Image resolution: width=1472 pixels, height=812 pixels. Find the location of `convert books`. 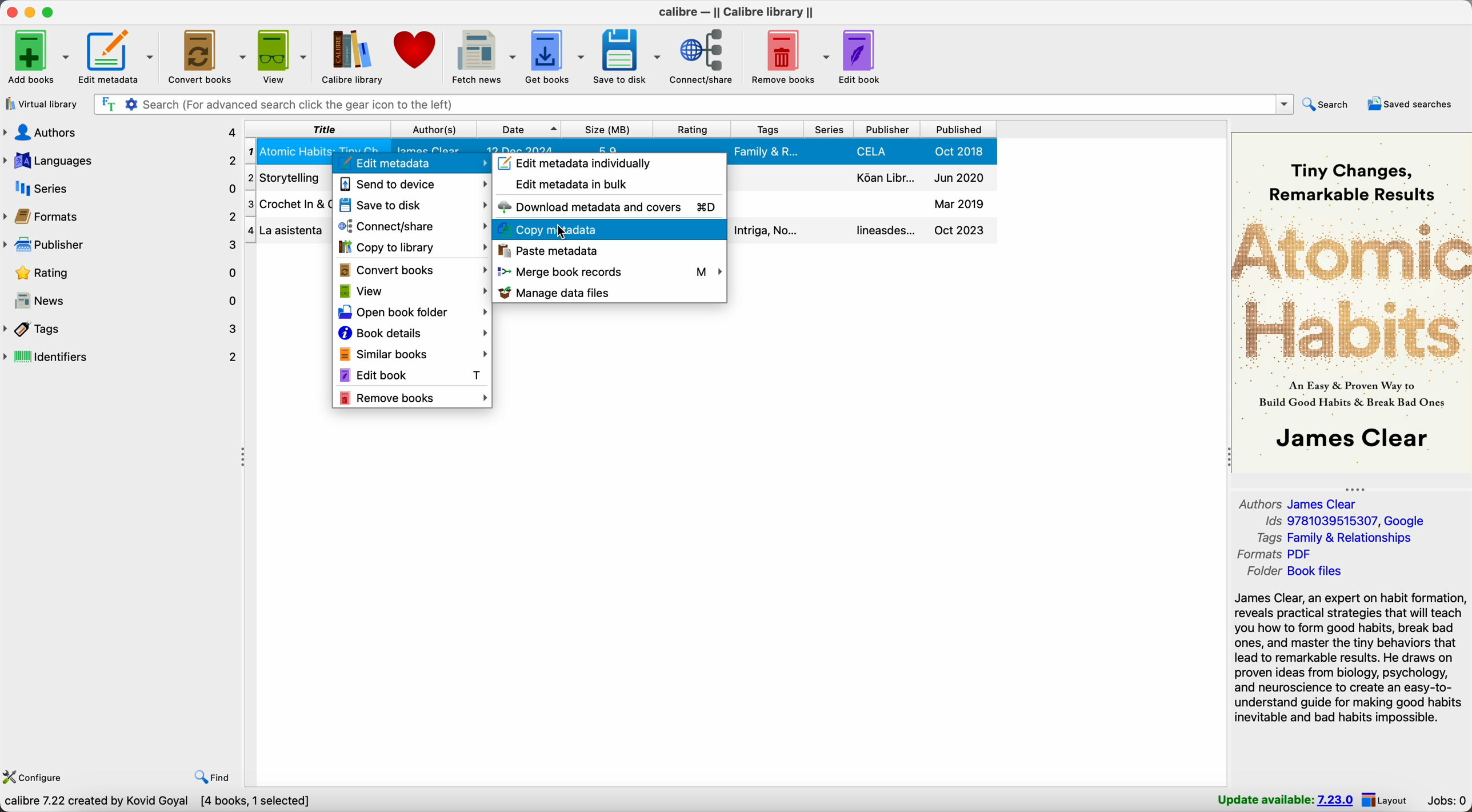

convert books is located at coordinates (412, 270).